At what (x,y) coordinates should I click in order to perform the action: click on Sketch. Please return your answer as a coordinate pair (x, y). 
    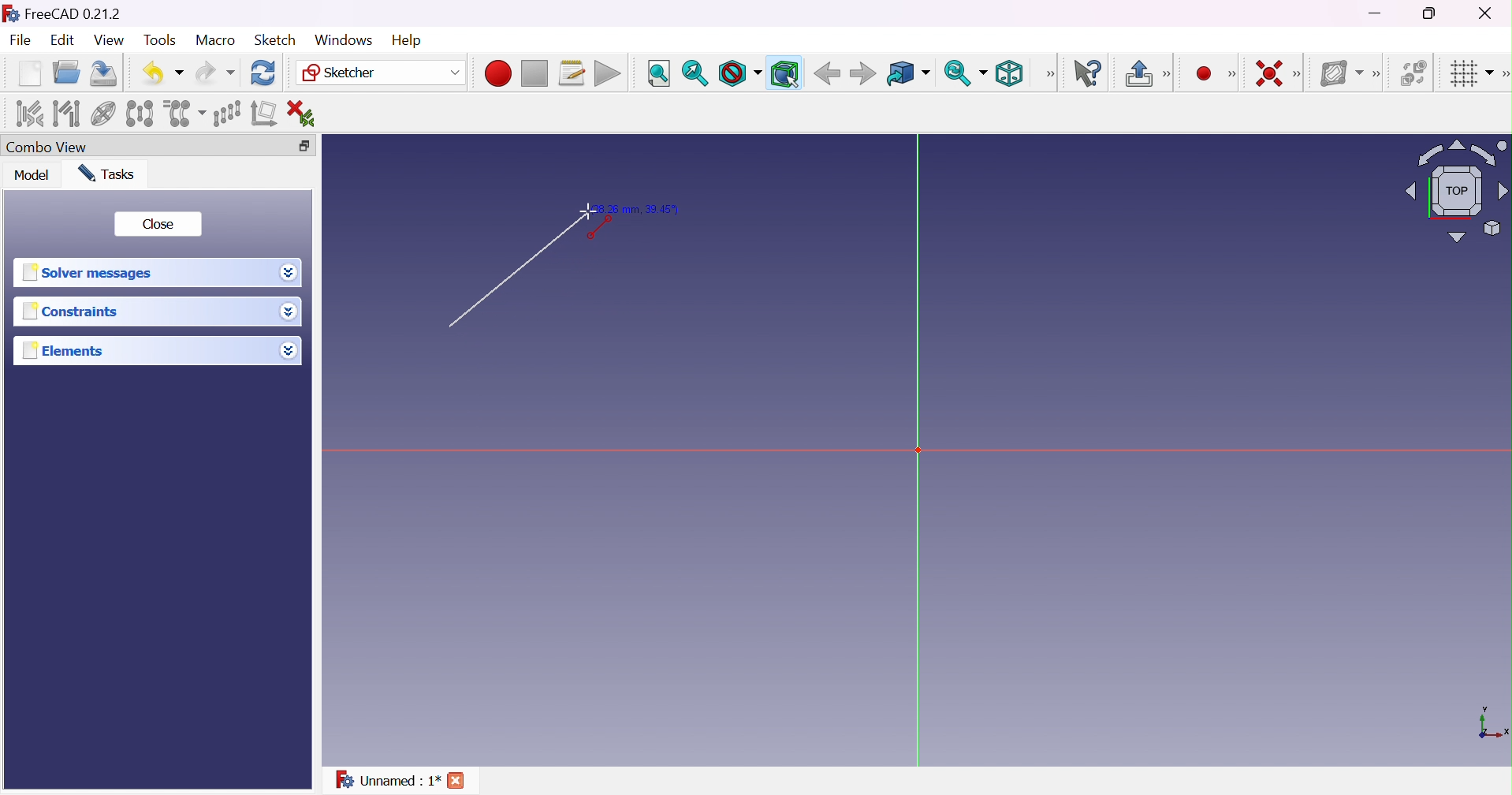
    Looking at the image, I should click on (277, 40).